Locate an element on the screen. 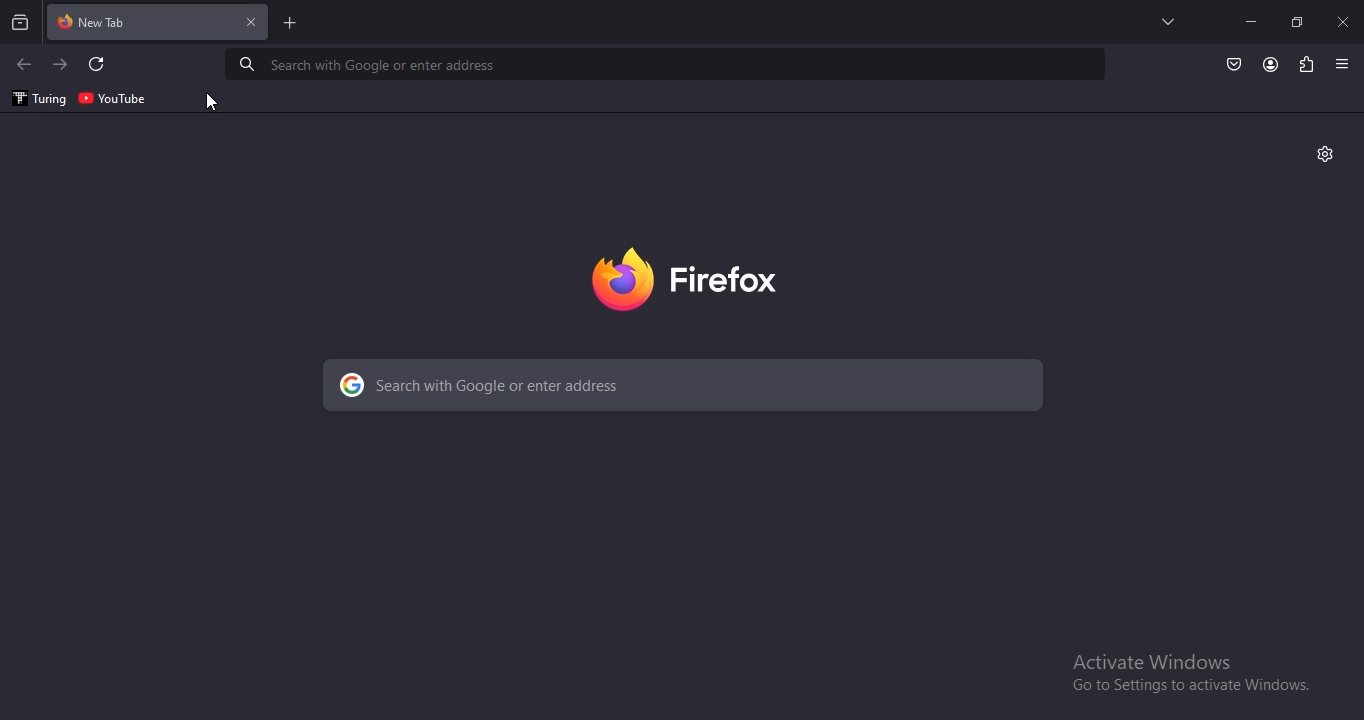  current tab is located at coordinates (159, 23).